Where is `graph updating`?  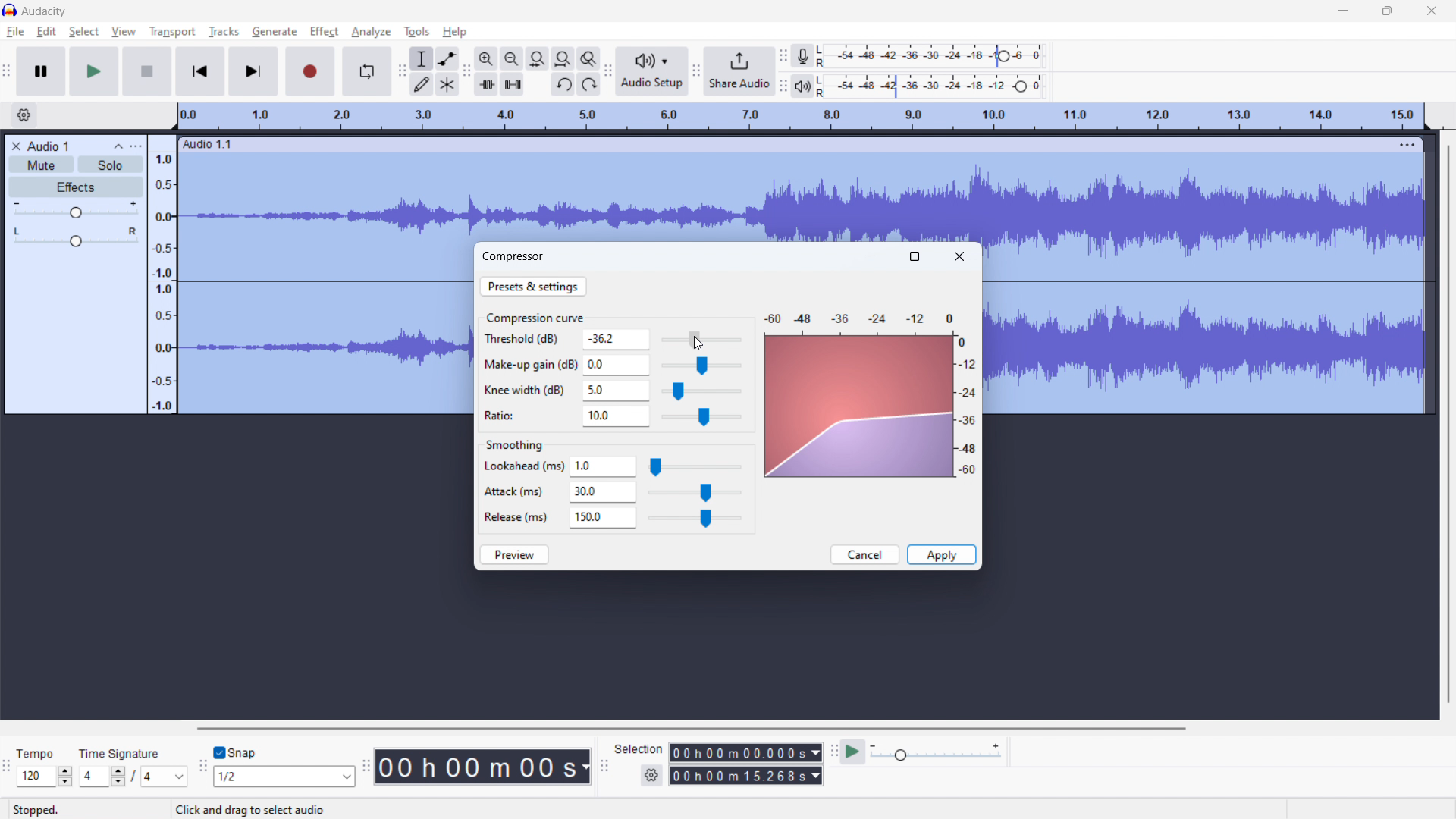
graph updating is located at coordinates (860, 407).